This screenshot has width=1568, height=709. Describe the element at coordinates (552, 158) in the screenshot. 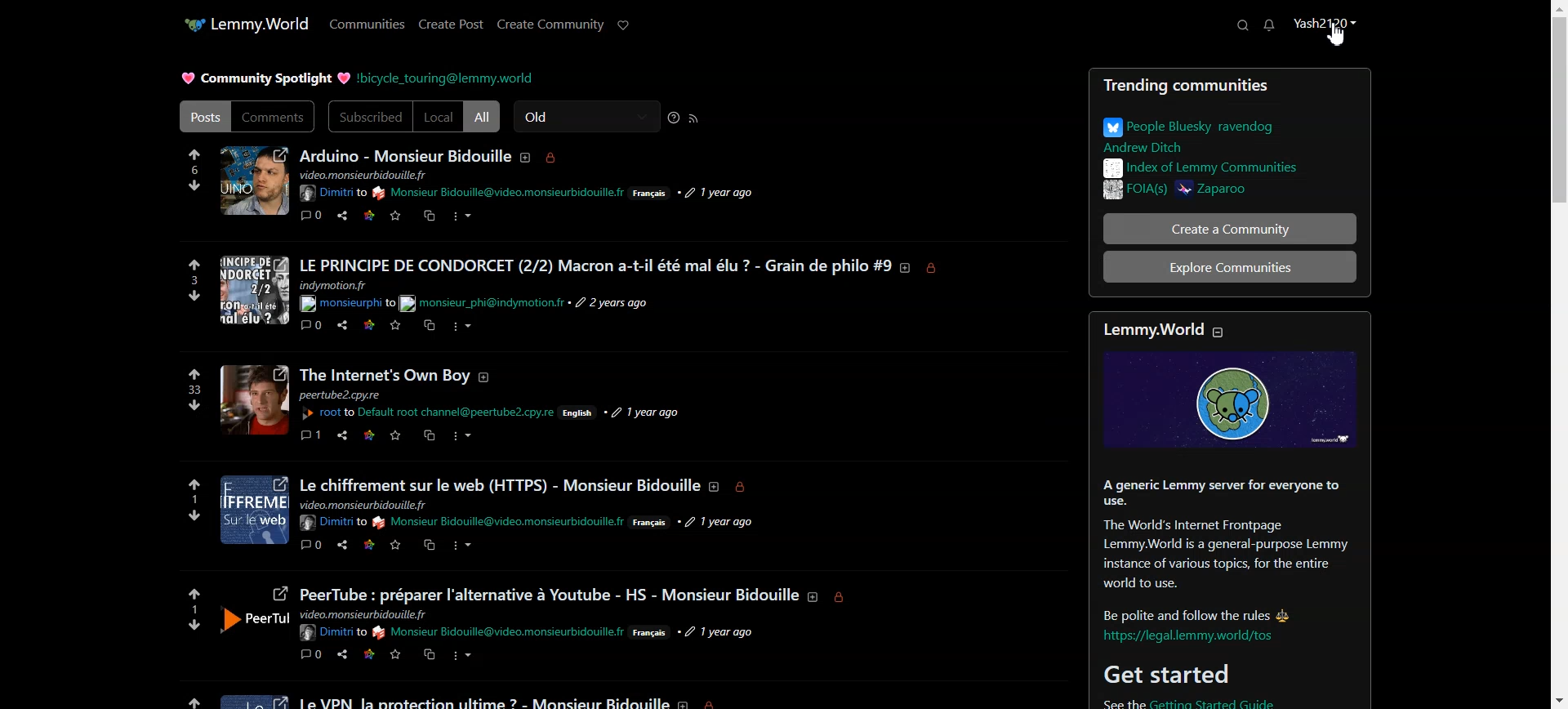

I see `Locked` at that location.